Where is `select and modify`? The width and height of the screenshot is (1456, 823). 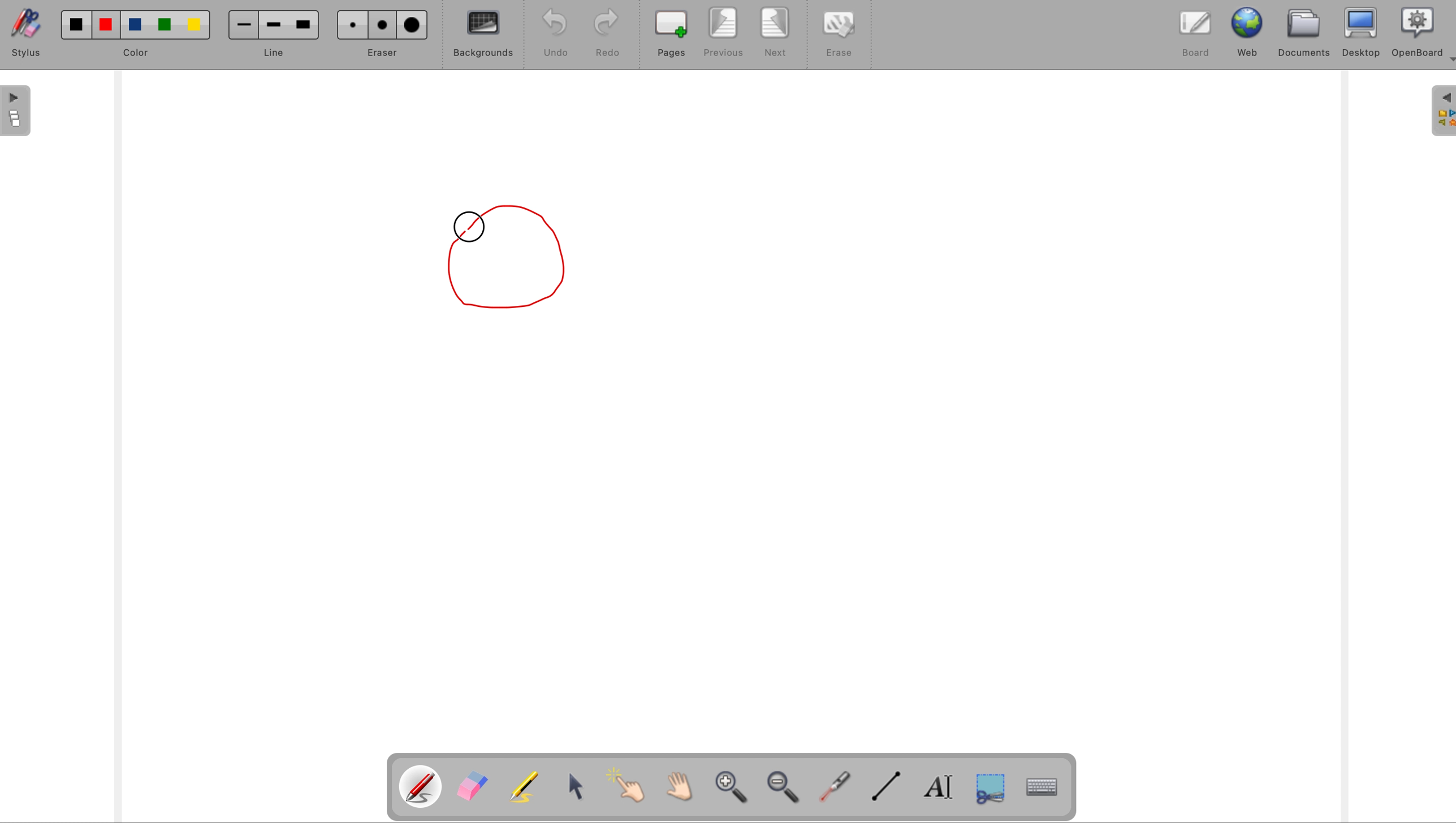
select and modify is located at coordinates (580, 789).